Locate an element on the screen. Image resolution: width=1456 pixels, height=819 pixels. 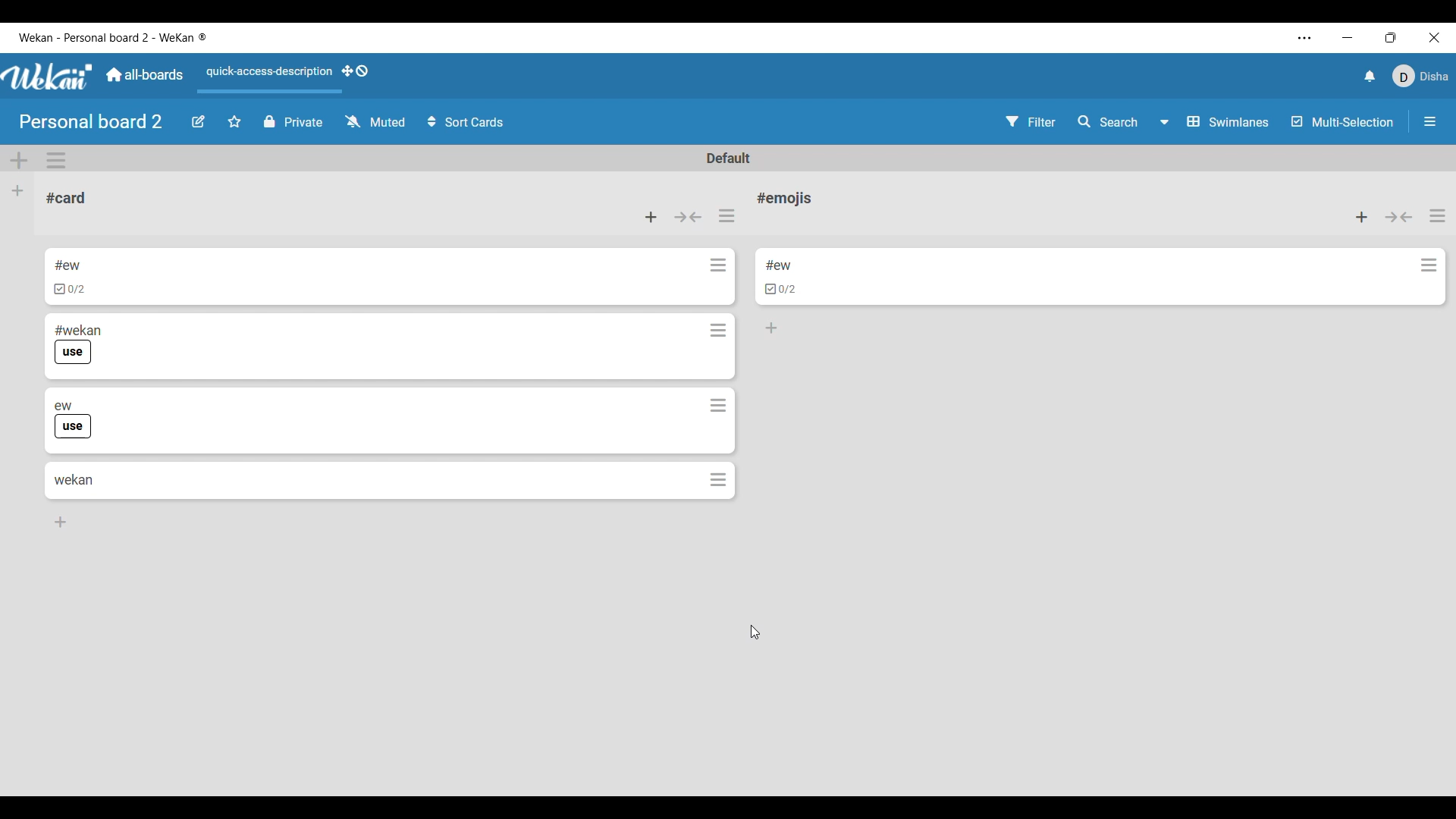
Edit is located at coordinates (198, 122).